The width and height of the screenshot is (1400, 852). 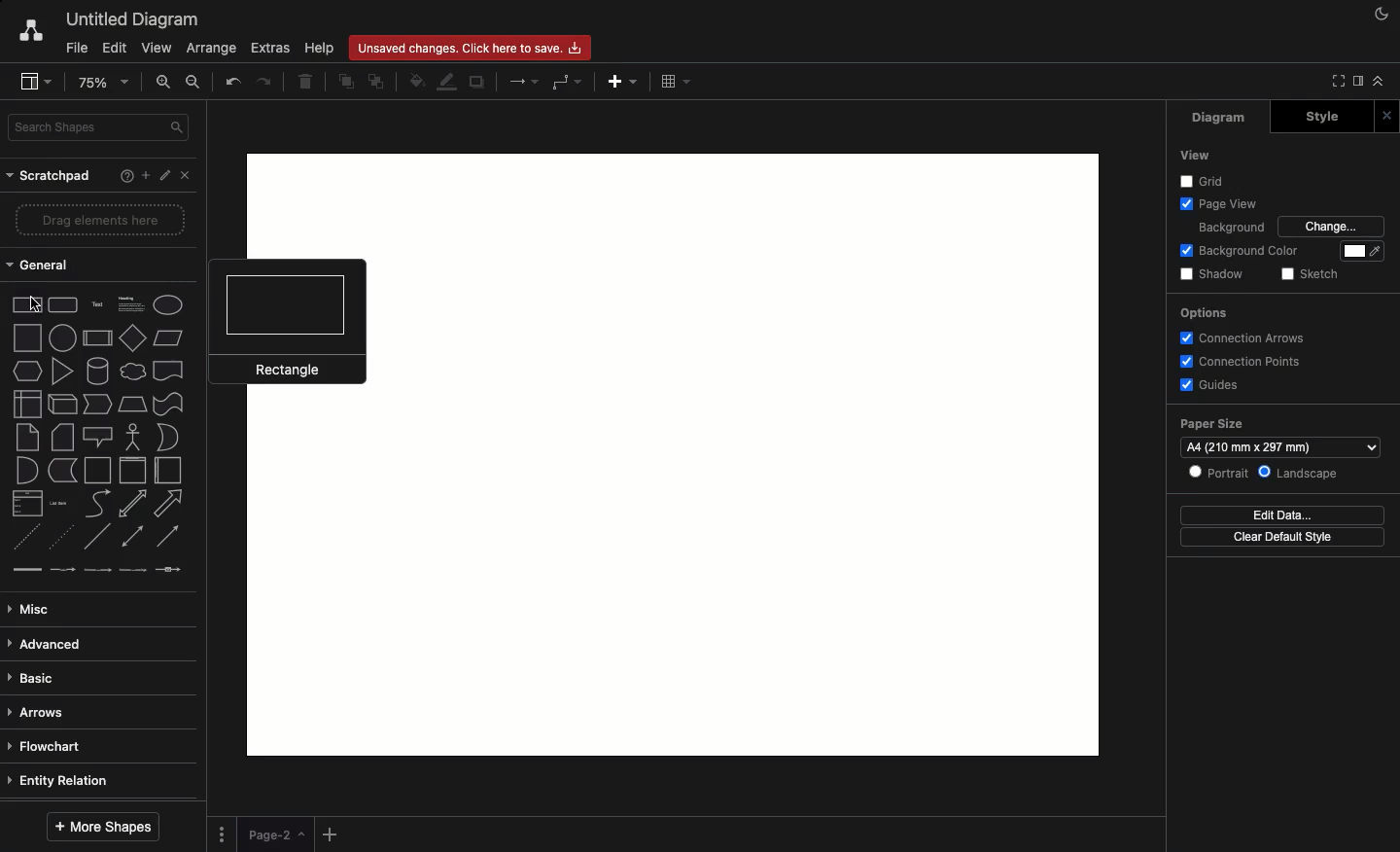 I want to click on connector with 3 labels, so click(x=132, y=570).